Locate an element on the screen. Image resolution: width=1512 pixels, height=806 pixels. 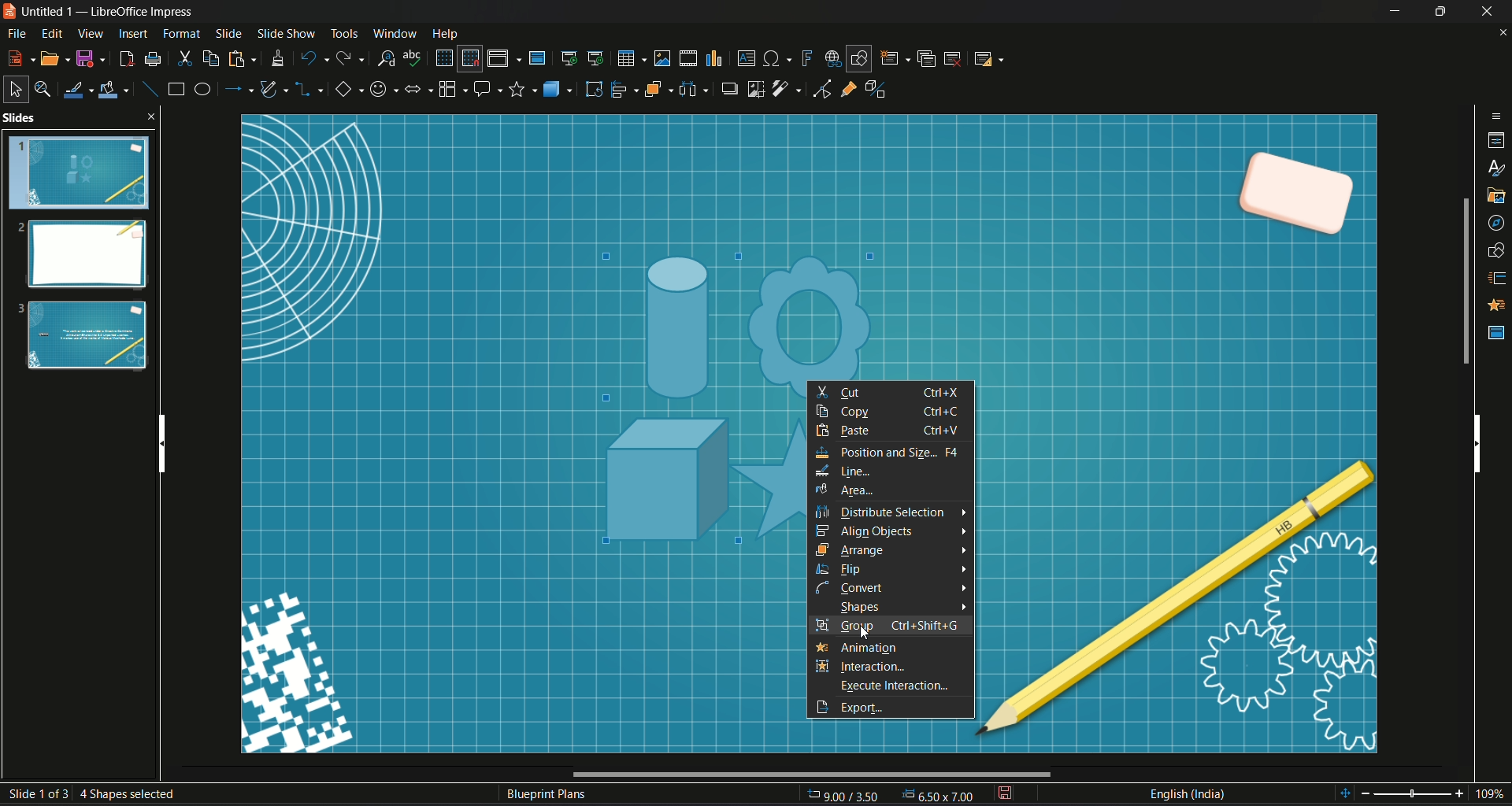
shadow is located at coordinates (727, 87).